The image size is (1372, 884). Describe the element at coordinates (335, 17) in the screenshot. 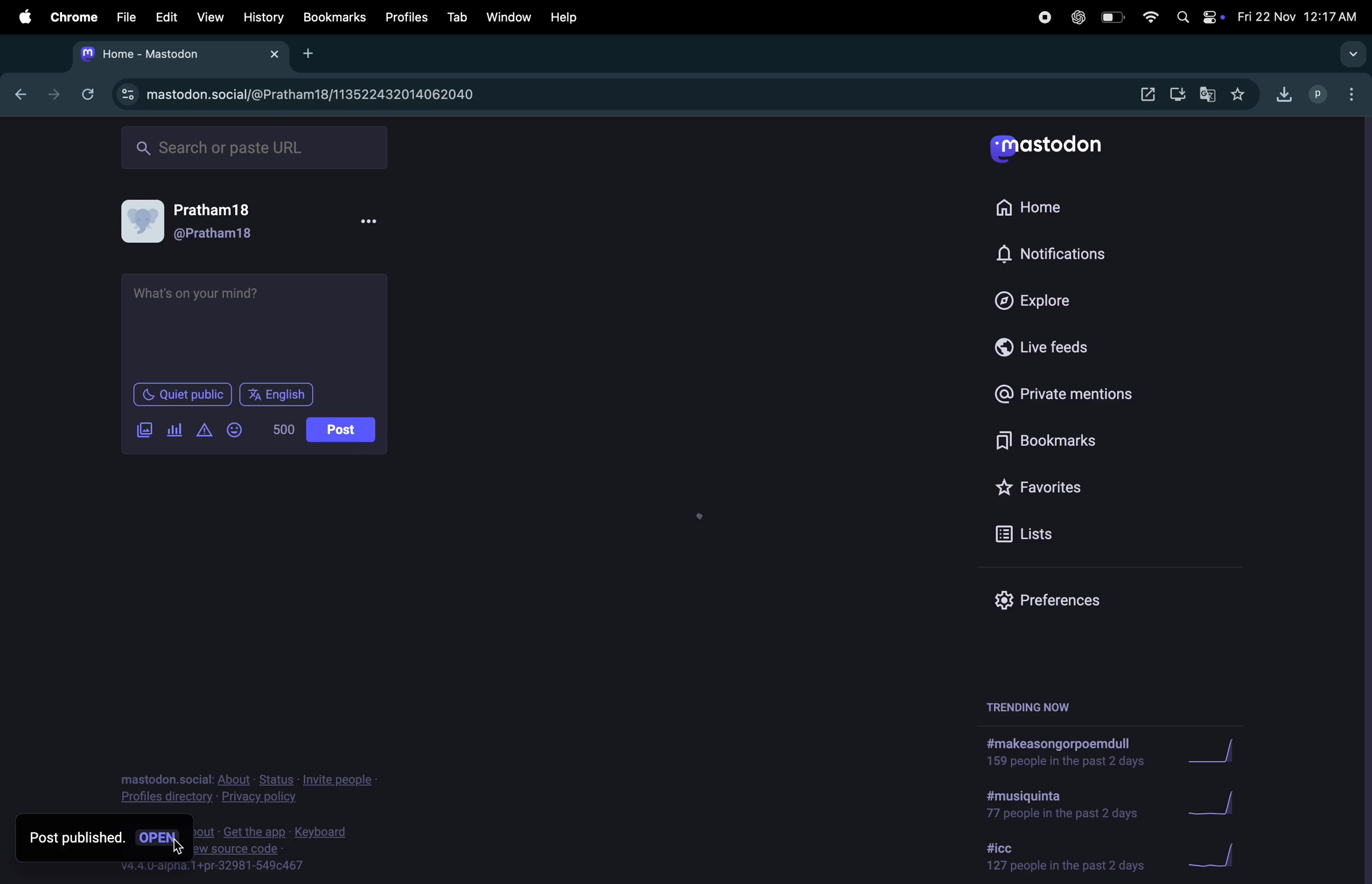

I see `bookmarks` at that location.